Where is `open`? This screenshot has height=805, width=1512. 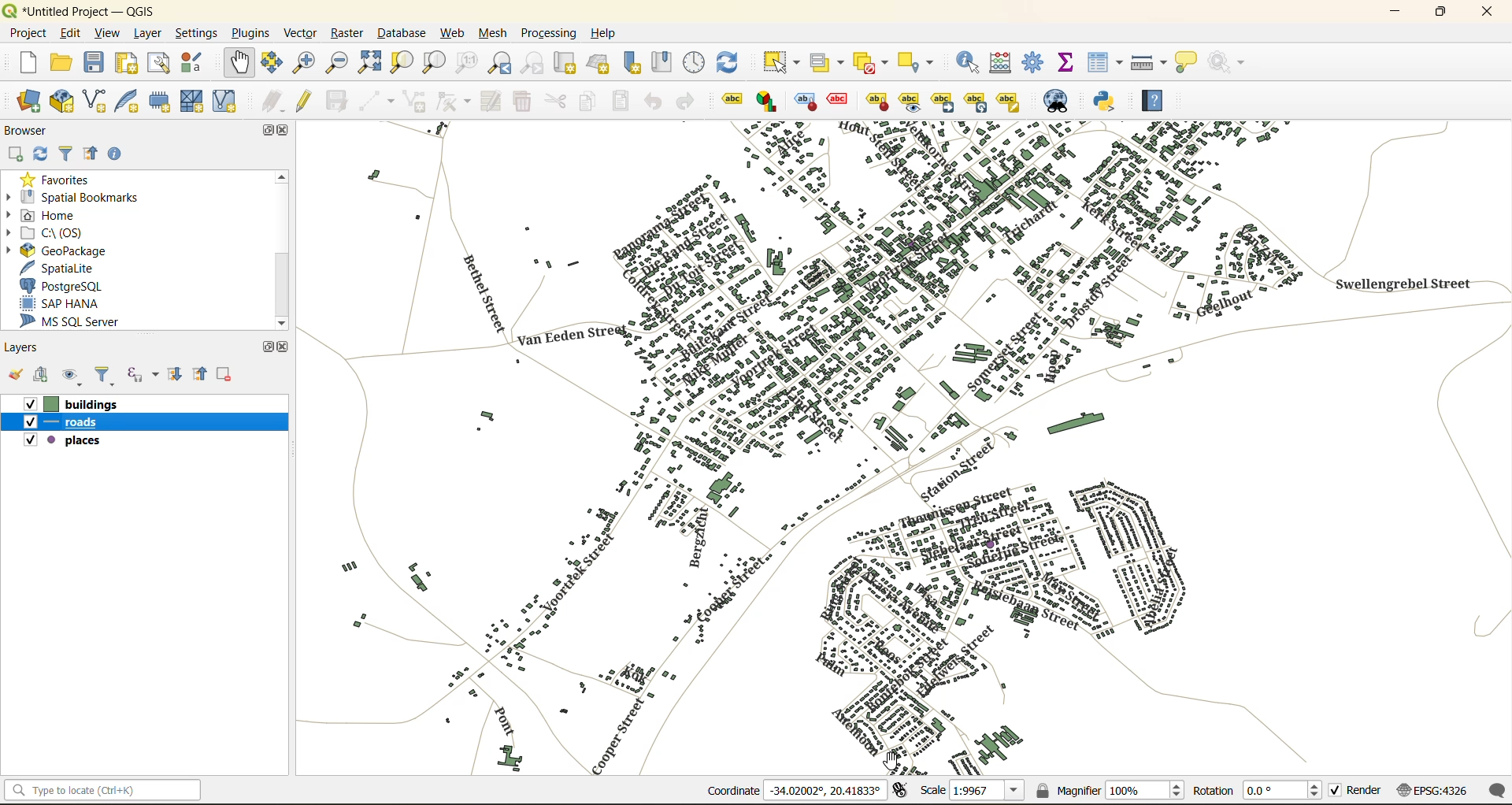
open is located at coordinates (64, 63).